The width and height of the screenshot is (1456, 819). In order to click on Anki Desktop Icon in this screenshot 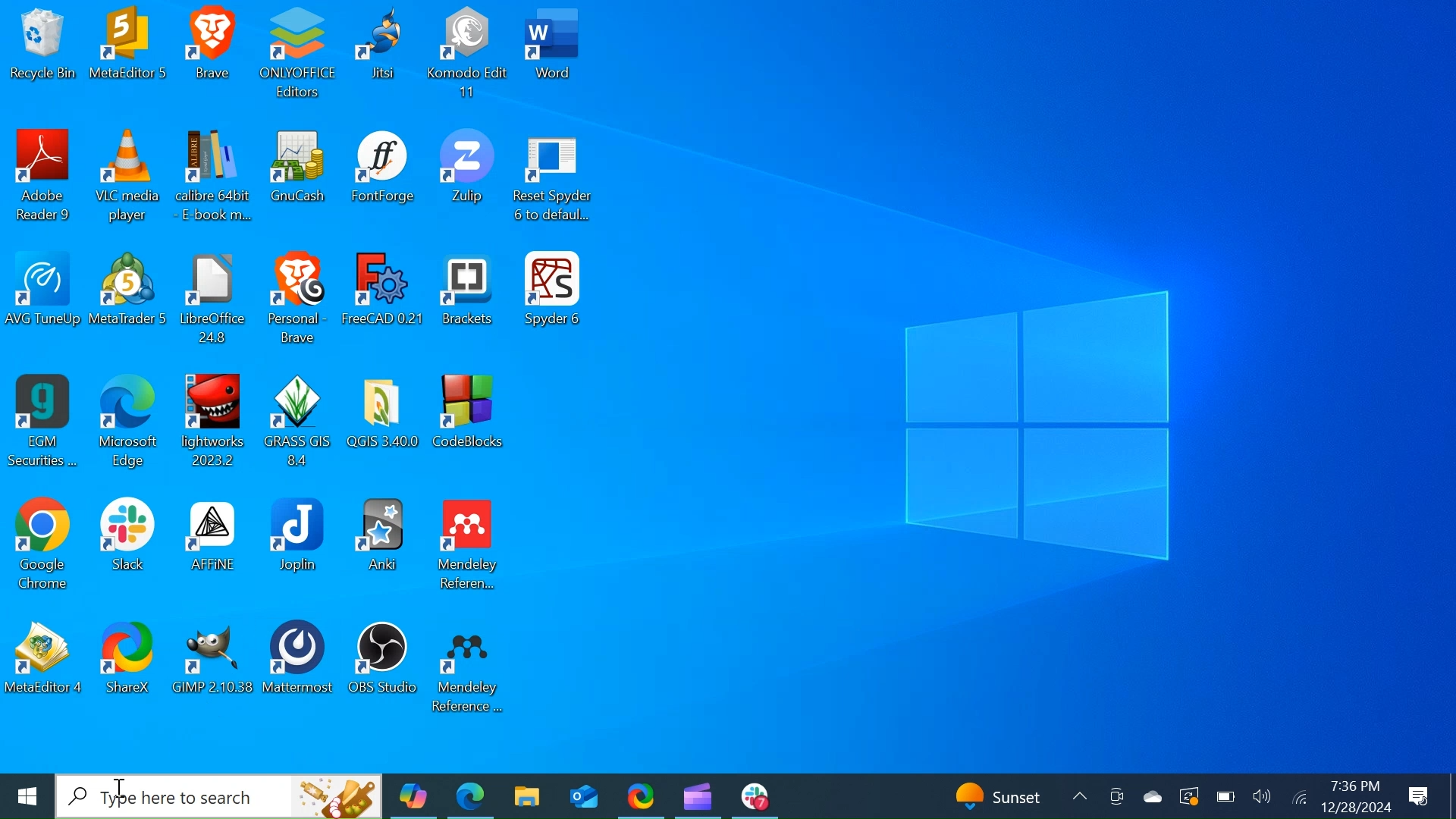, I will do `click(380, 544)`.